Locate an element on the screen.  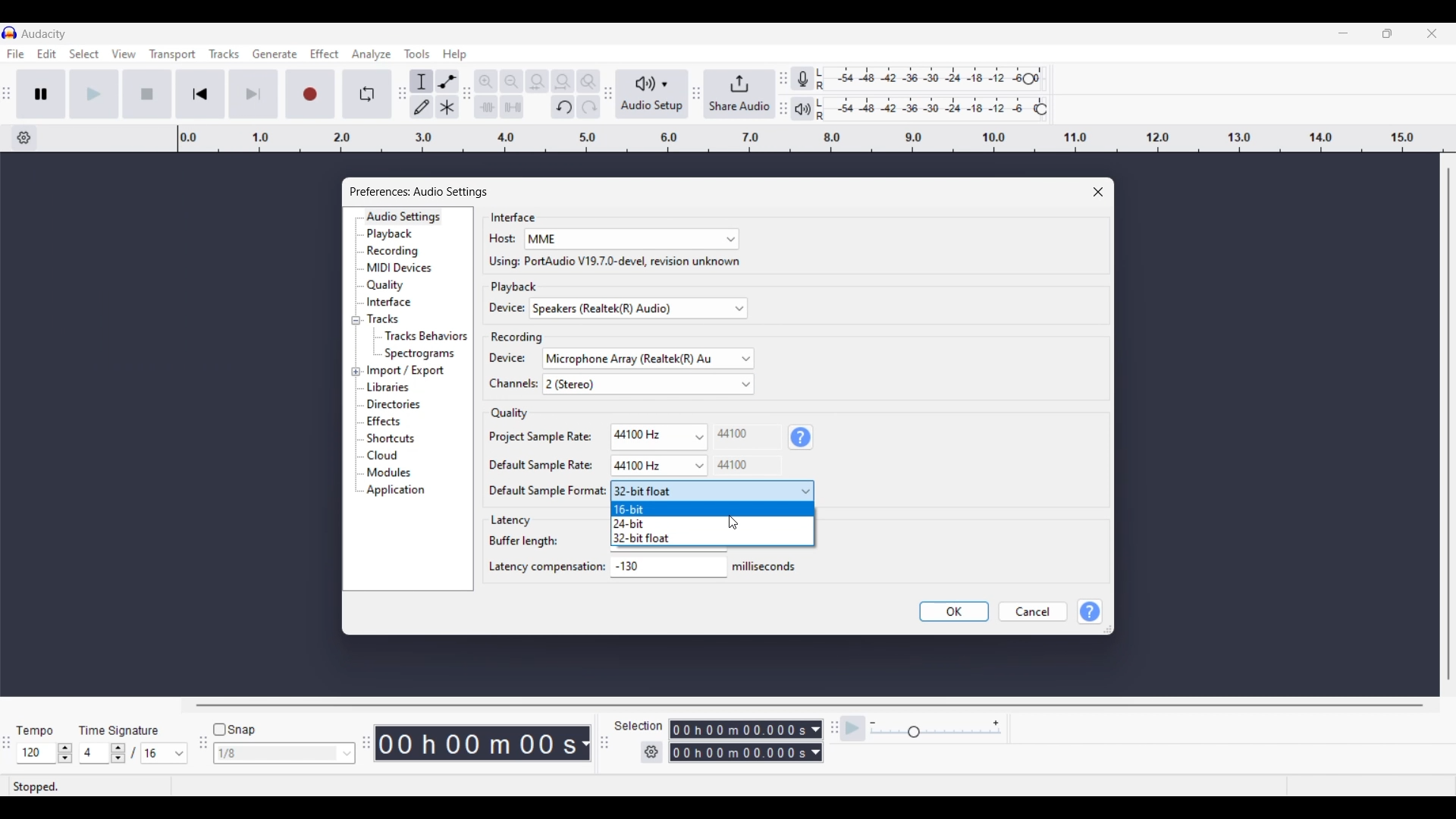
Tracks menu is located at coordinates (224, 54).